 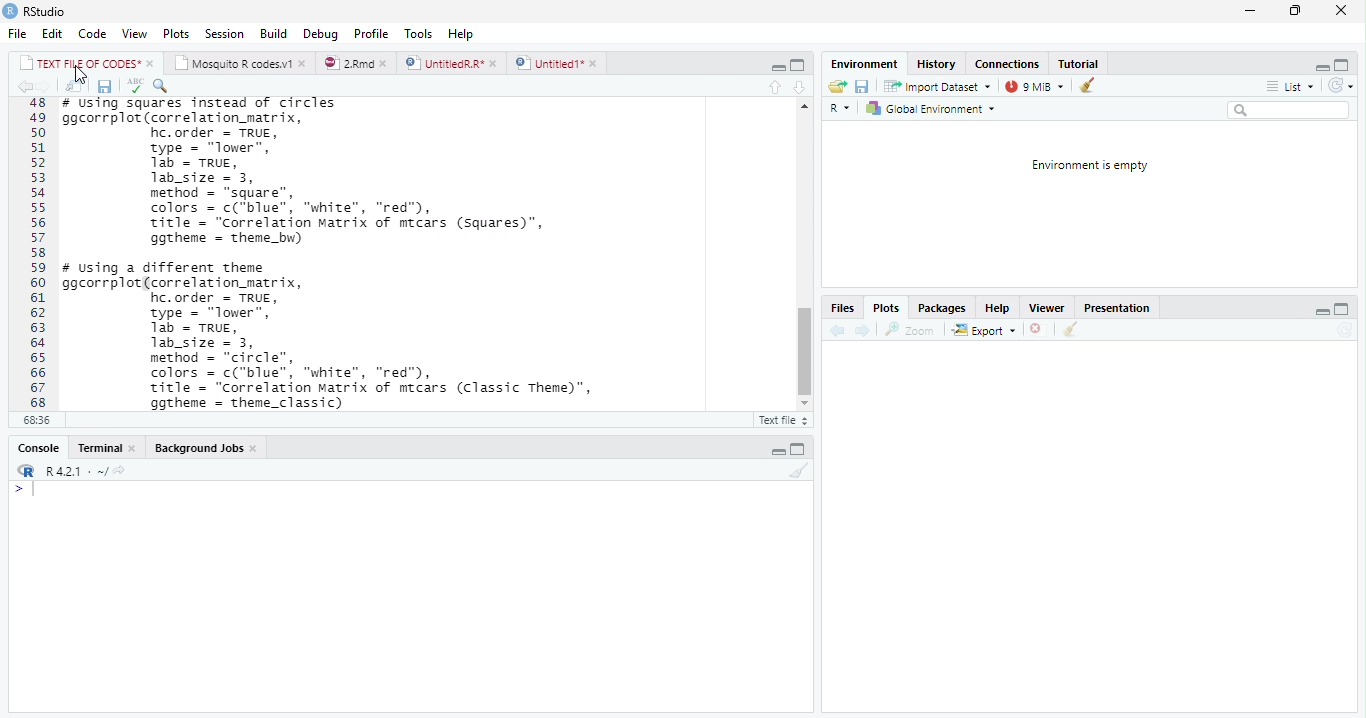 What do you see at coordinates (800, 471) in the screenshot?
I see `clear console` at bounding box center [800, 471].